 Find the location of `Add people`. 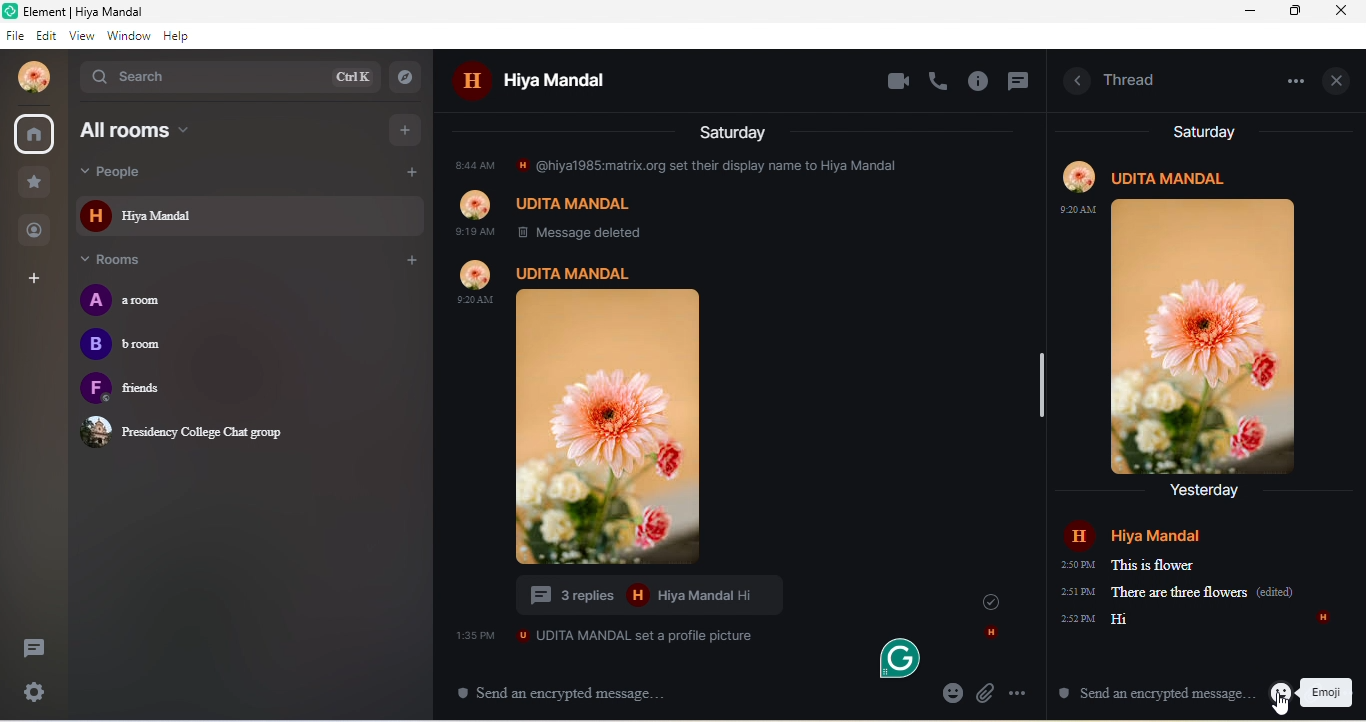

Add people is located at coordinates (411, 171).